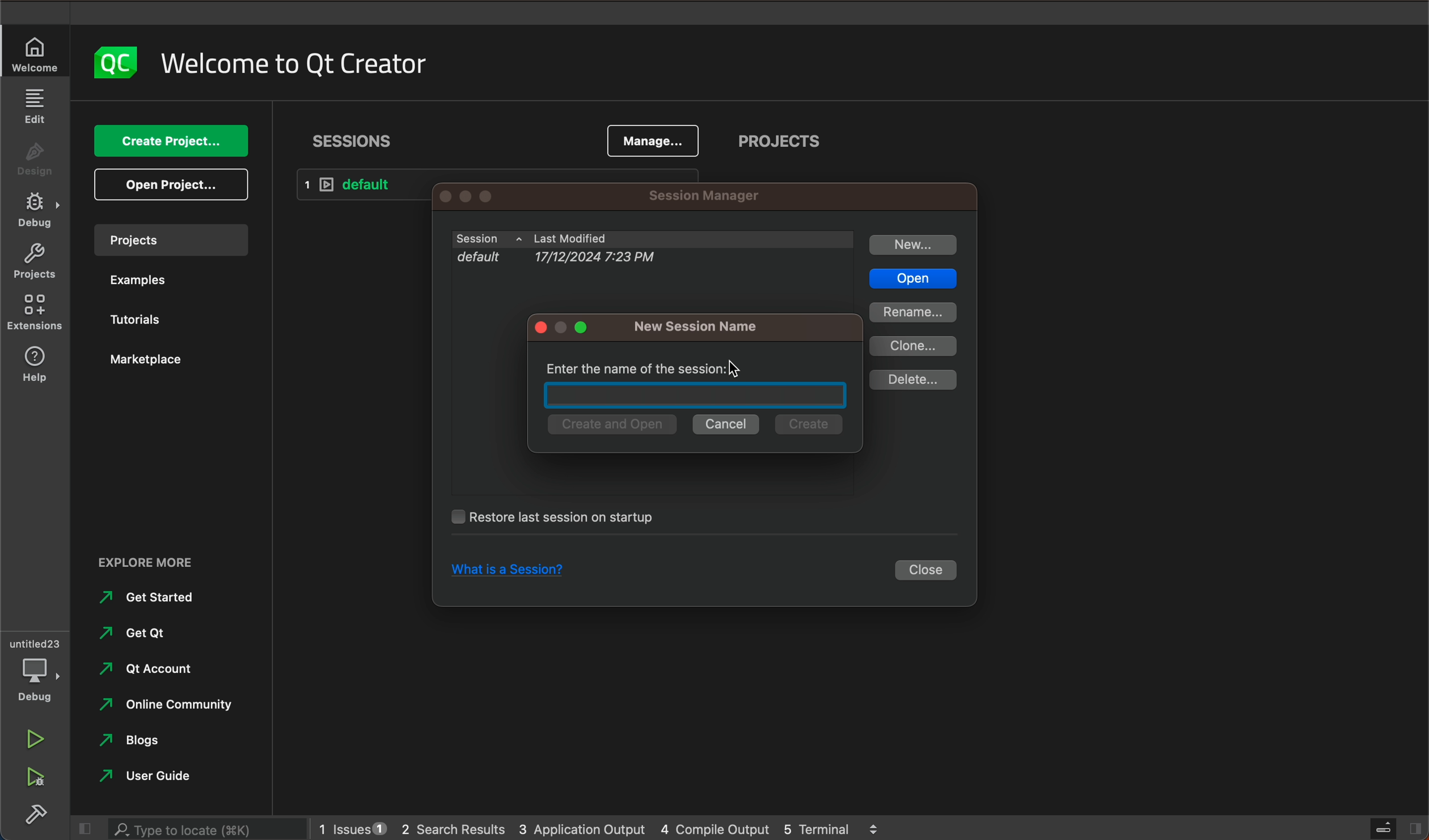 This screenshot has height=840, width=1429. Describe the element at coordinates (453, 828) in the screenshot. I see `search results` at that location.